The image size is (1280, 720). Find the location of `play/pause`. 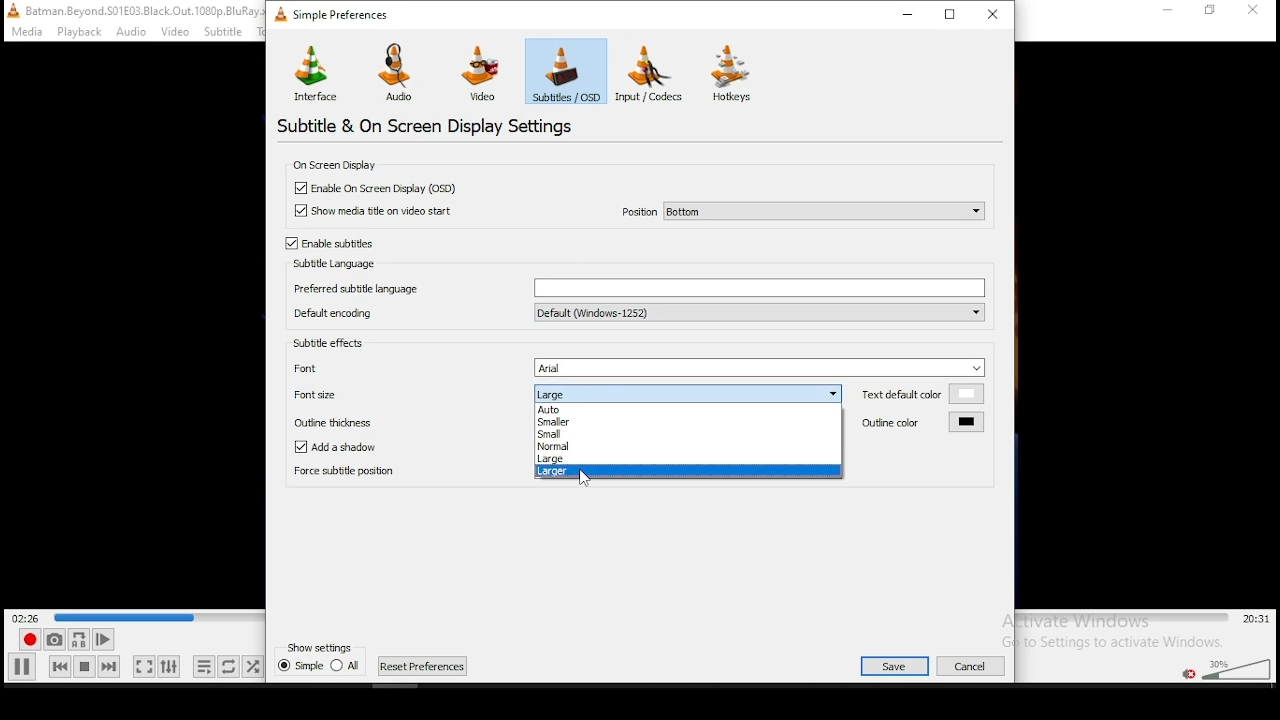

play/pause is located at coordinates (21, 667).